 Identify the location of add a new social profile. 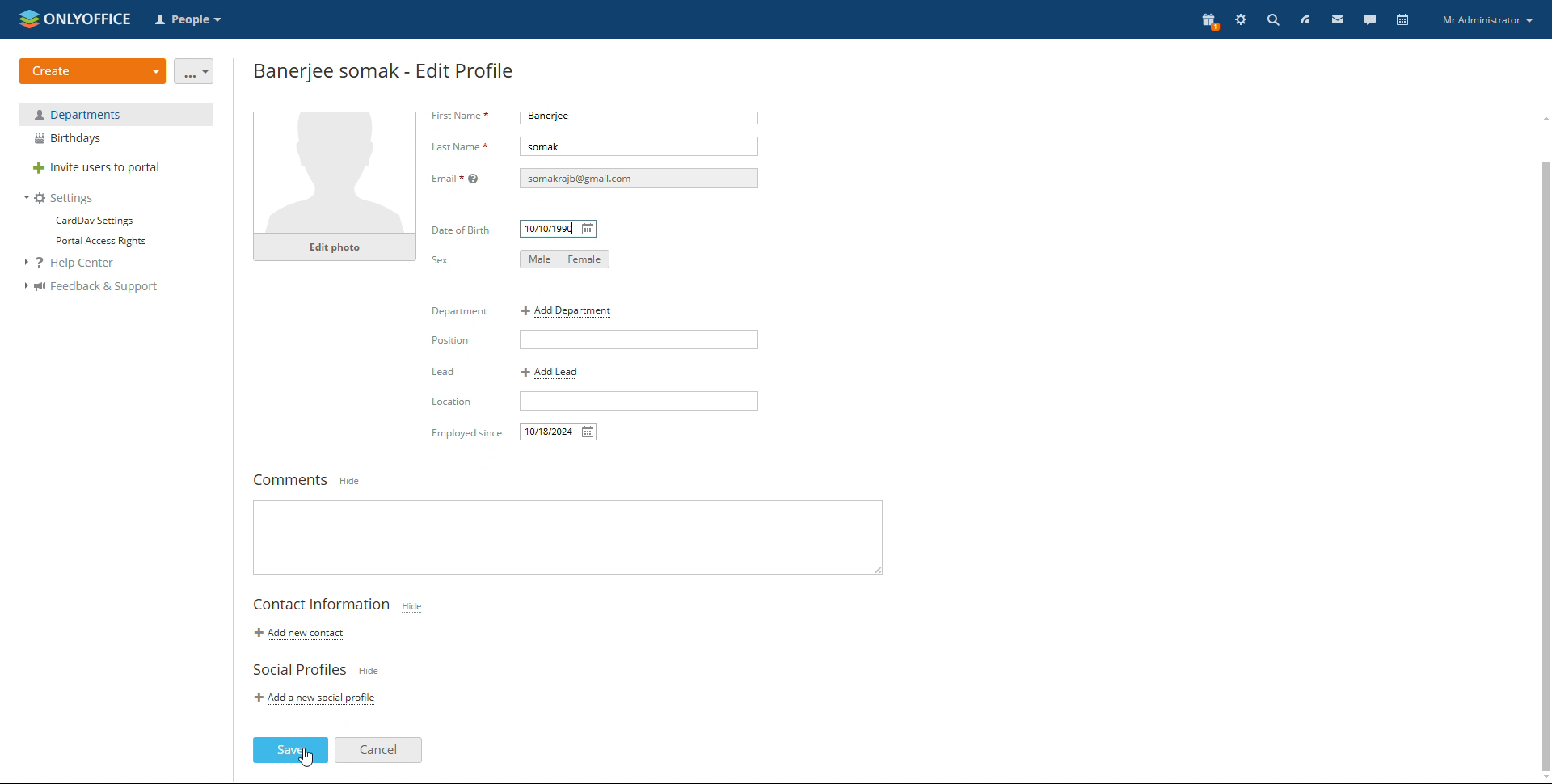
(318, 696).